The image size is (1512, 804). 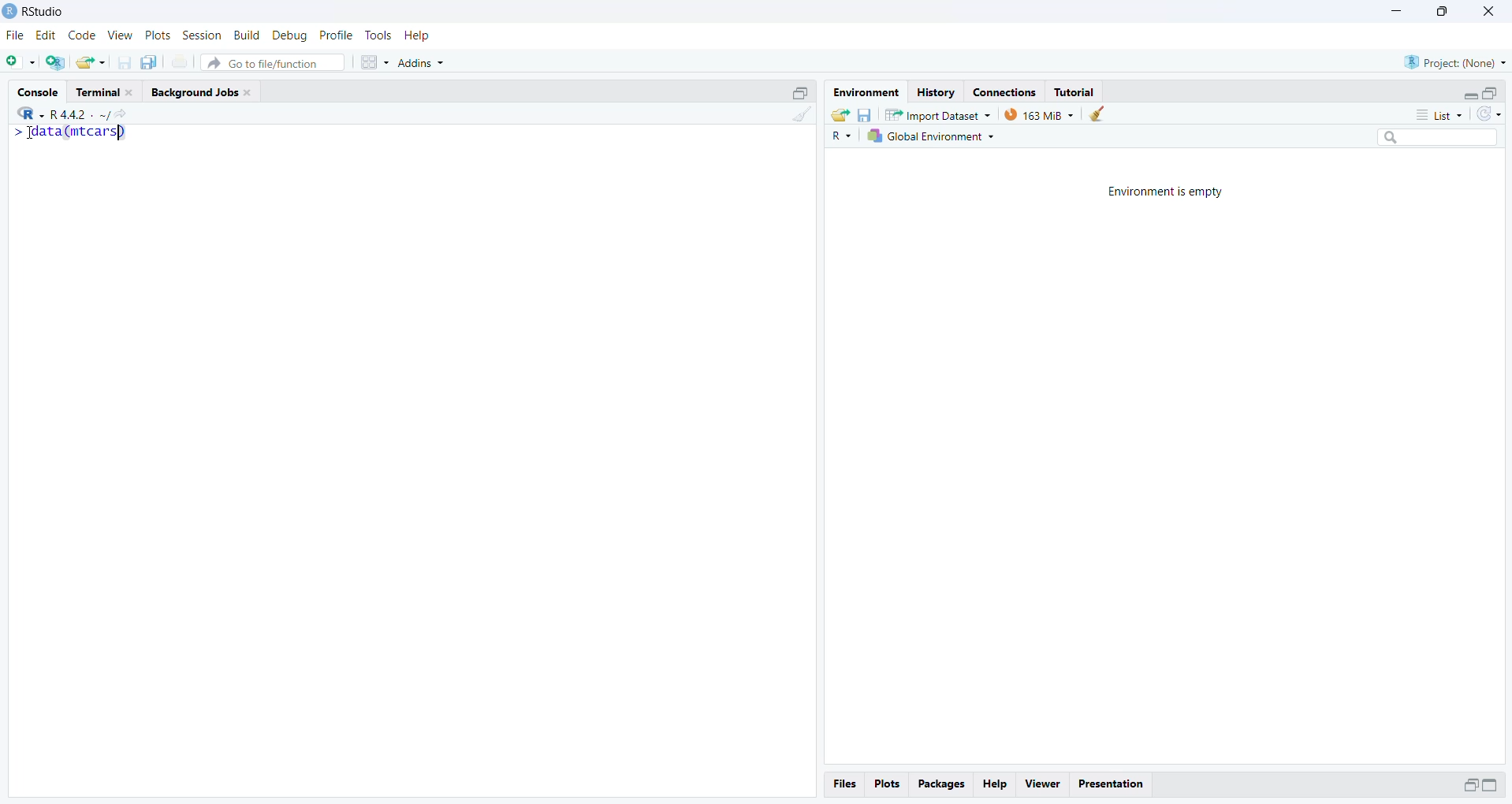 I want to click on share icon, so click(x=121, y=115).